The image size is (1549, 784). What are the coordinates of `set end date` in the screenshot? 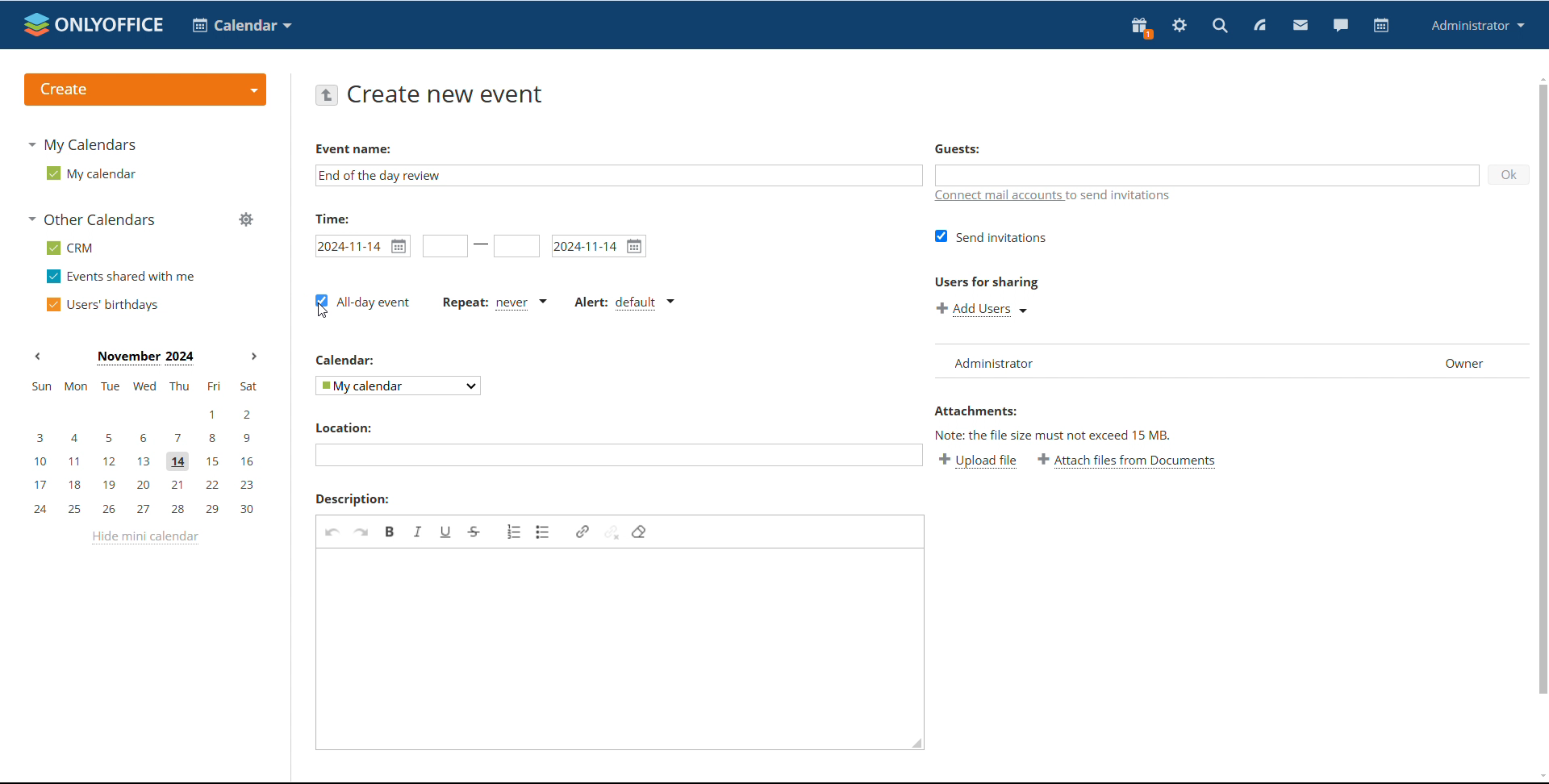 It's located at (599, 246).